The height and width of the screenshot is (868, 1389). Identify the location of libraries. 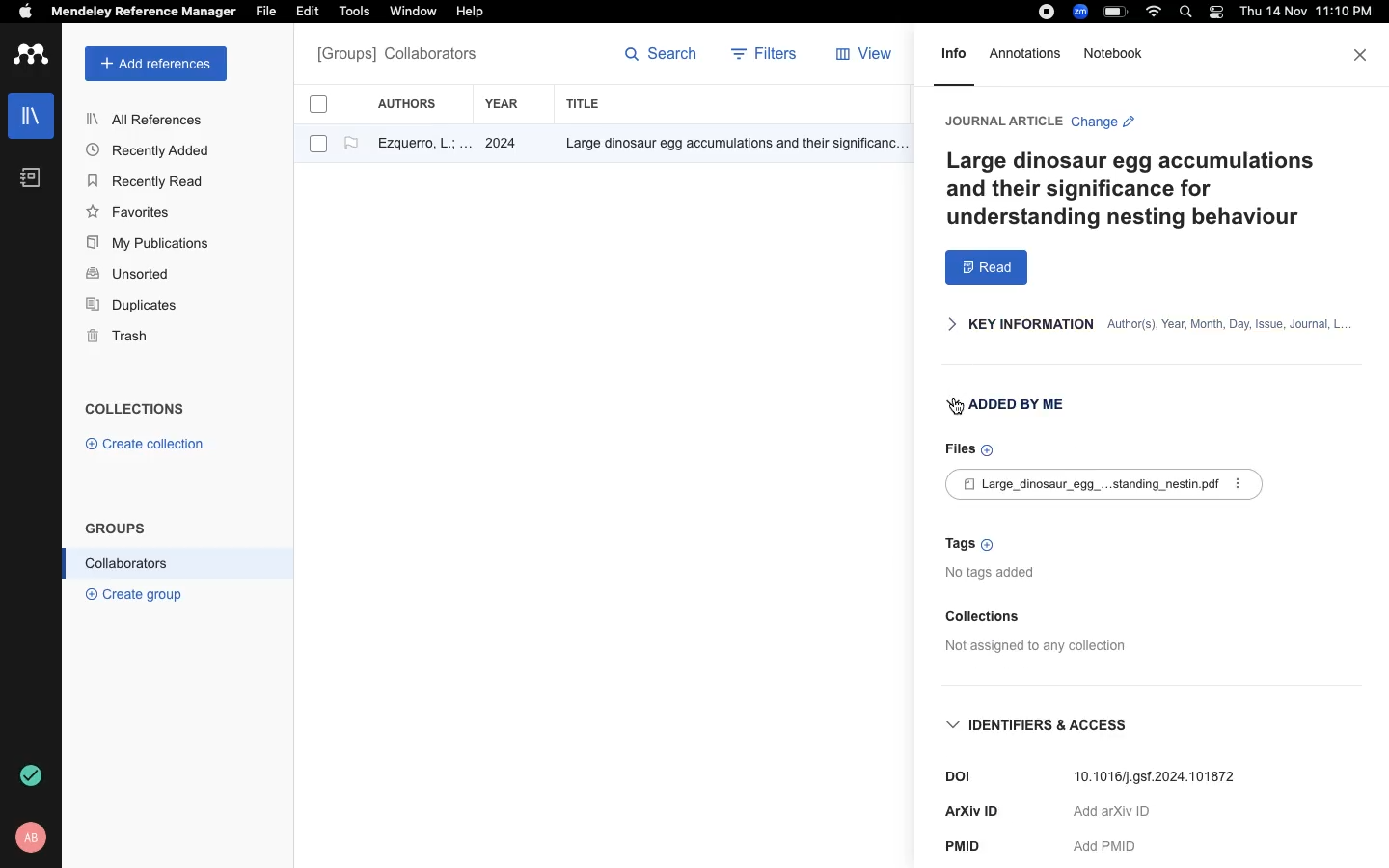
(29, 114).